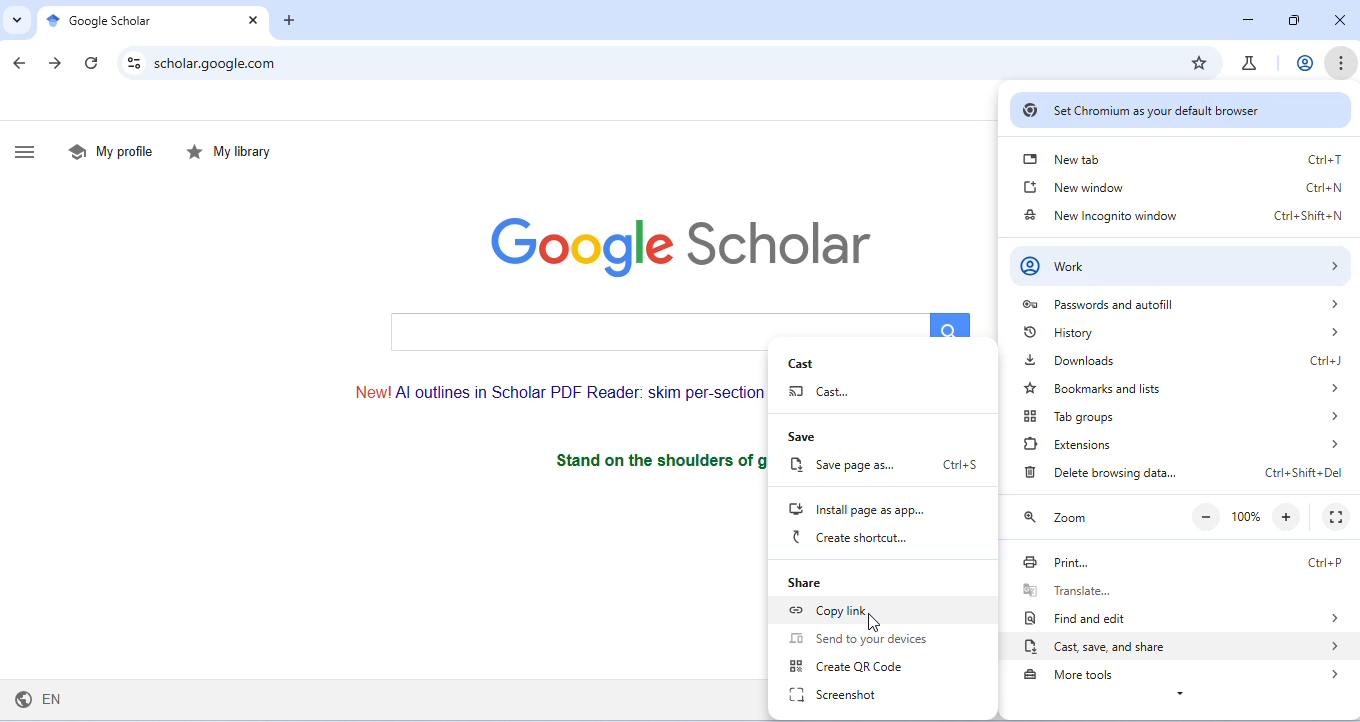 The width and height of the screenshot is (1360, 722). What do you see at coordinates (91, 64) in the screenshot?
I see `refresh` at bounding box center [91, 64].